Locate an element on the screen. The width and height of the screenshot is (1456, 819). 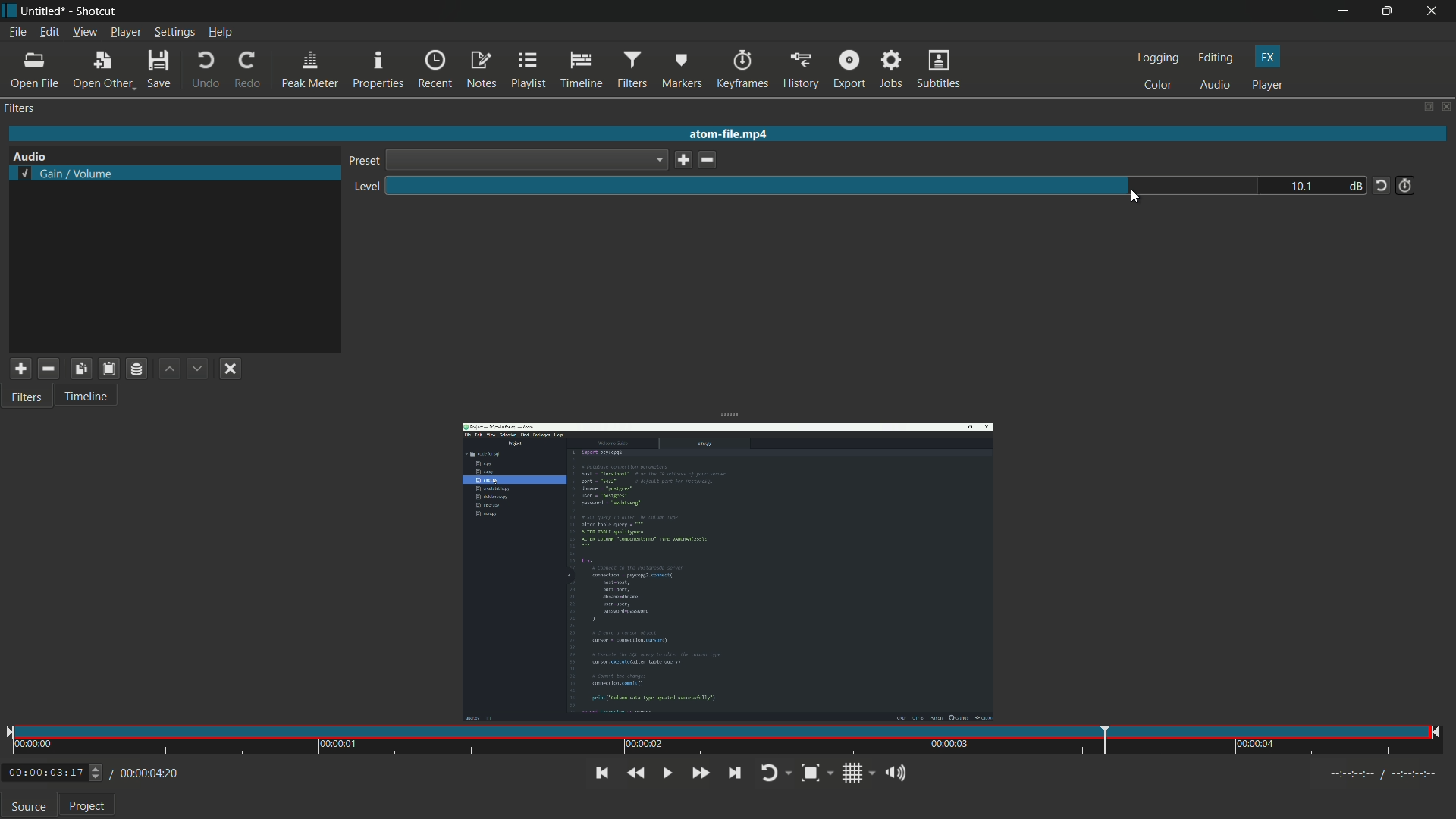
undo is located at coordinates (206, 71).